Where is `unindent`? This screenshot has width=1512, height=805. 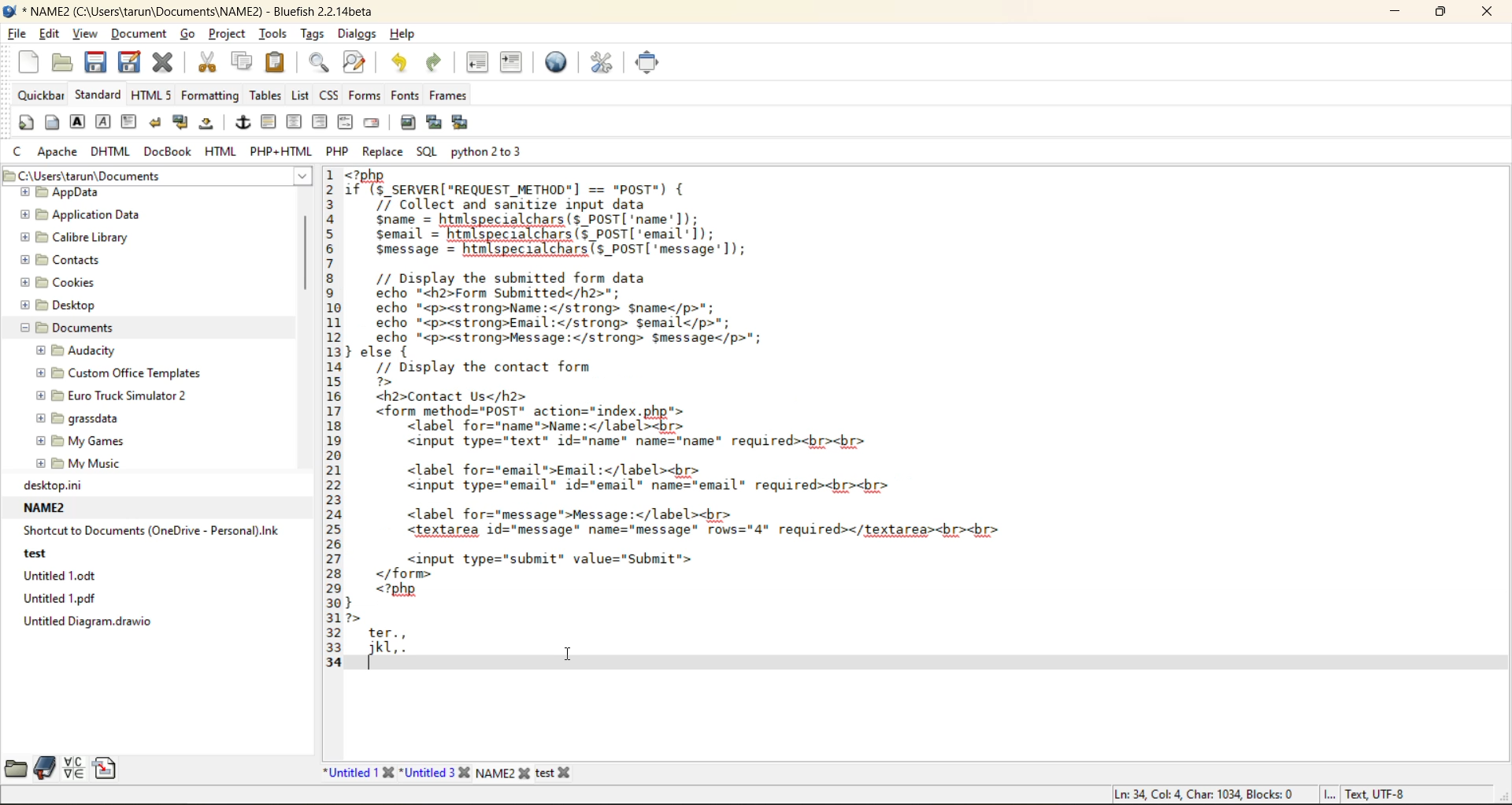 unindent is located at coordinates (477, 62).